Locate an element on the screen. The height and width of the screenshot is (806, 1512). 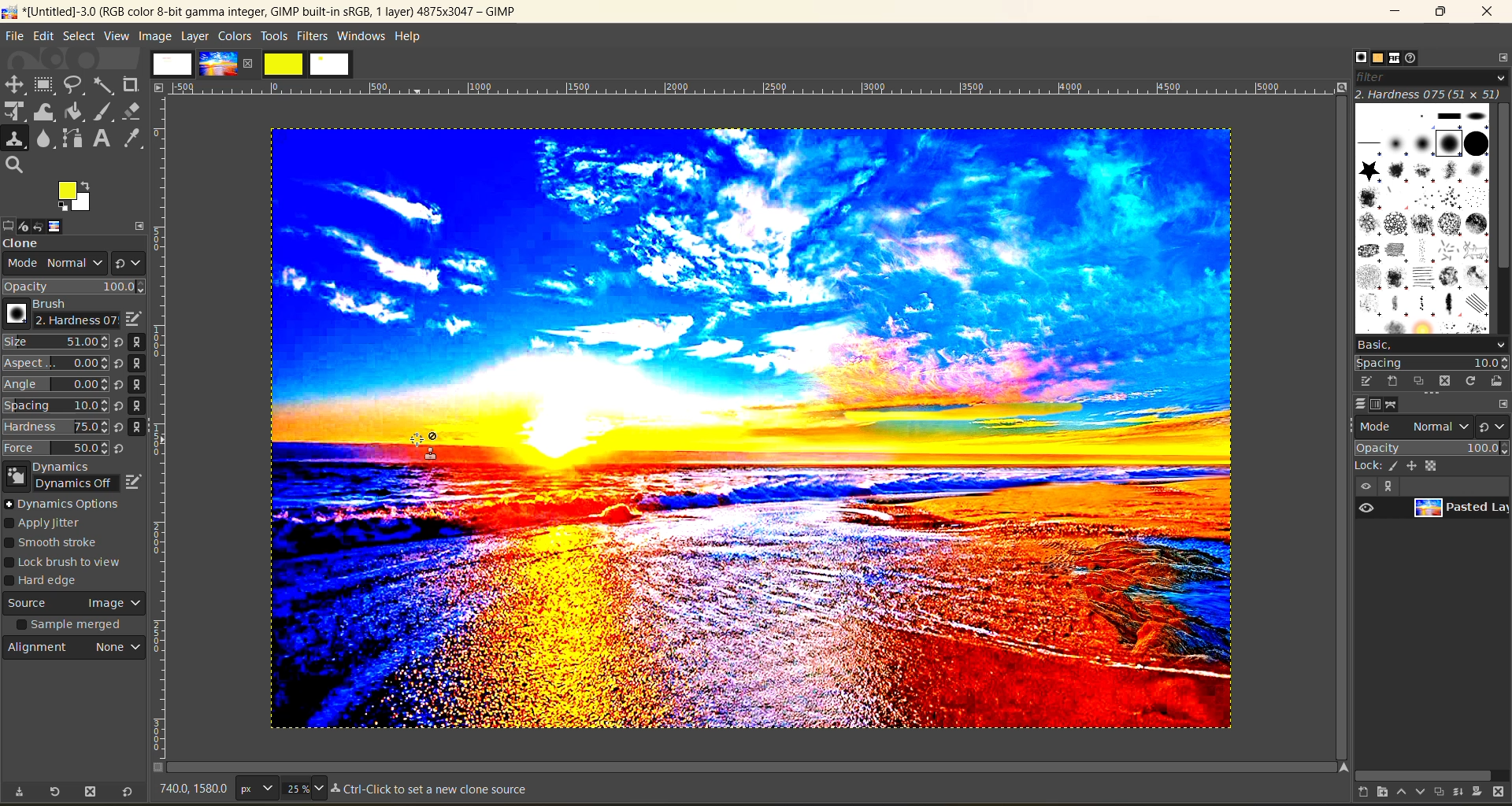
source is located at coordinates (75, 605).